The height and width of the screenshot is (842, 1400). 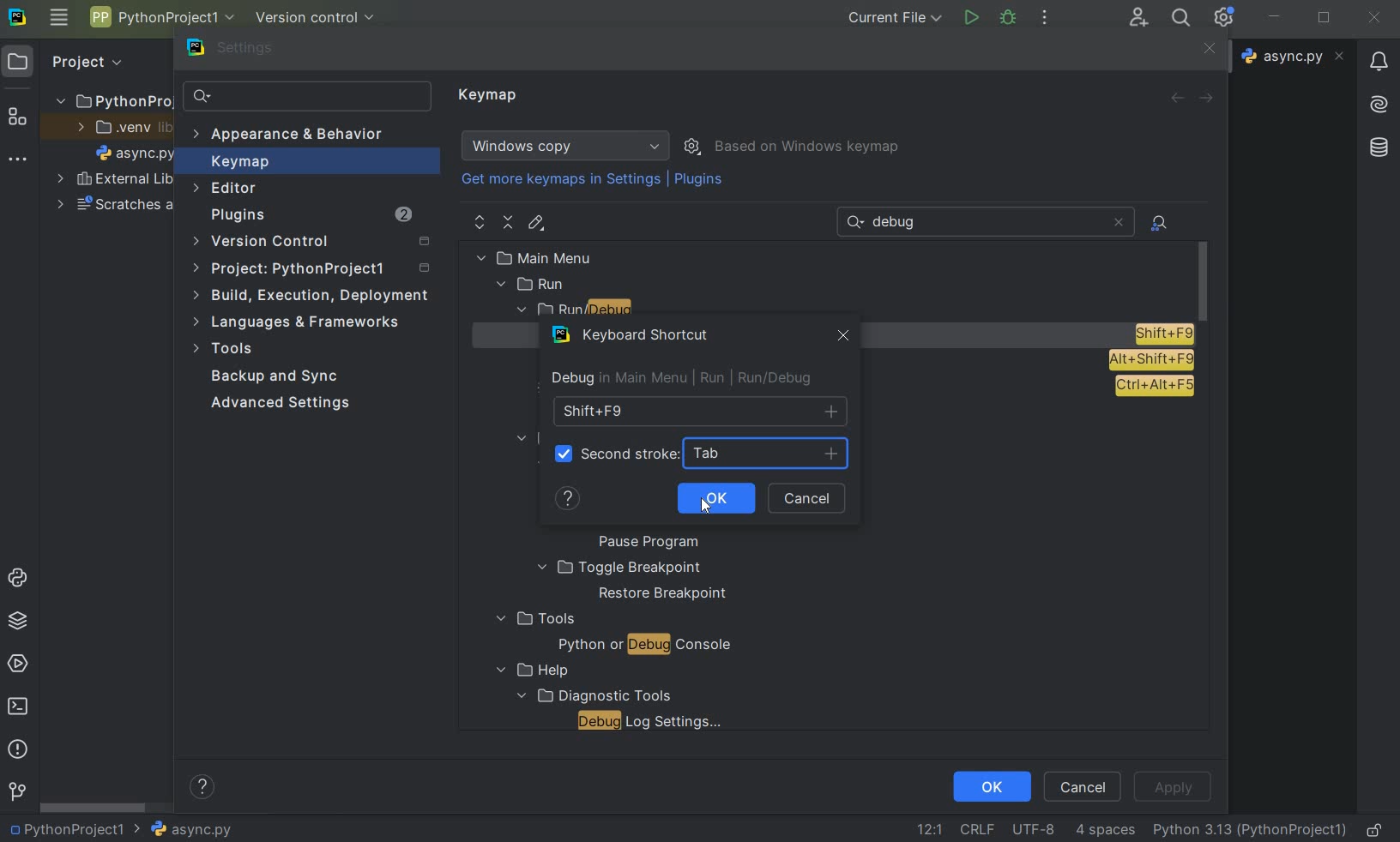 I want to click on file actions by shortcuts, so click(x=1161, y=223).